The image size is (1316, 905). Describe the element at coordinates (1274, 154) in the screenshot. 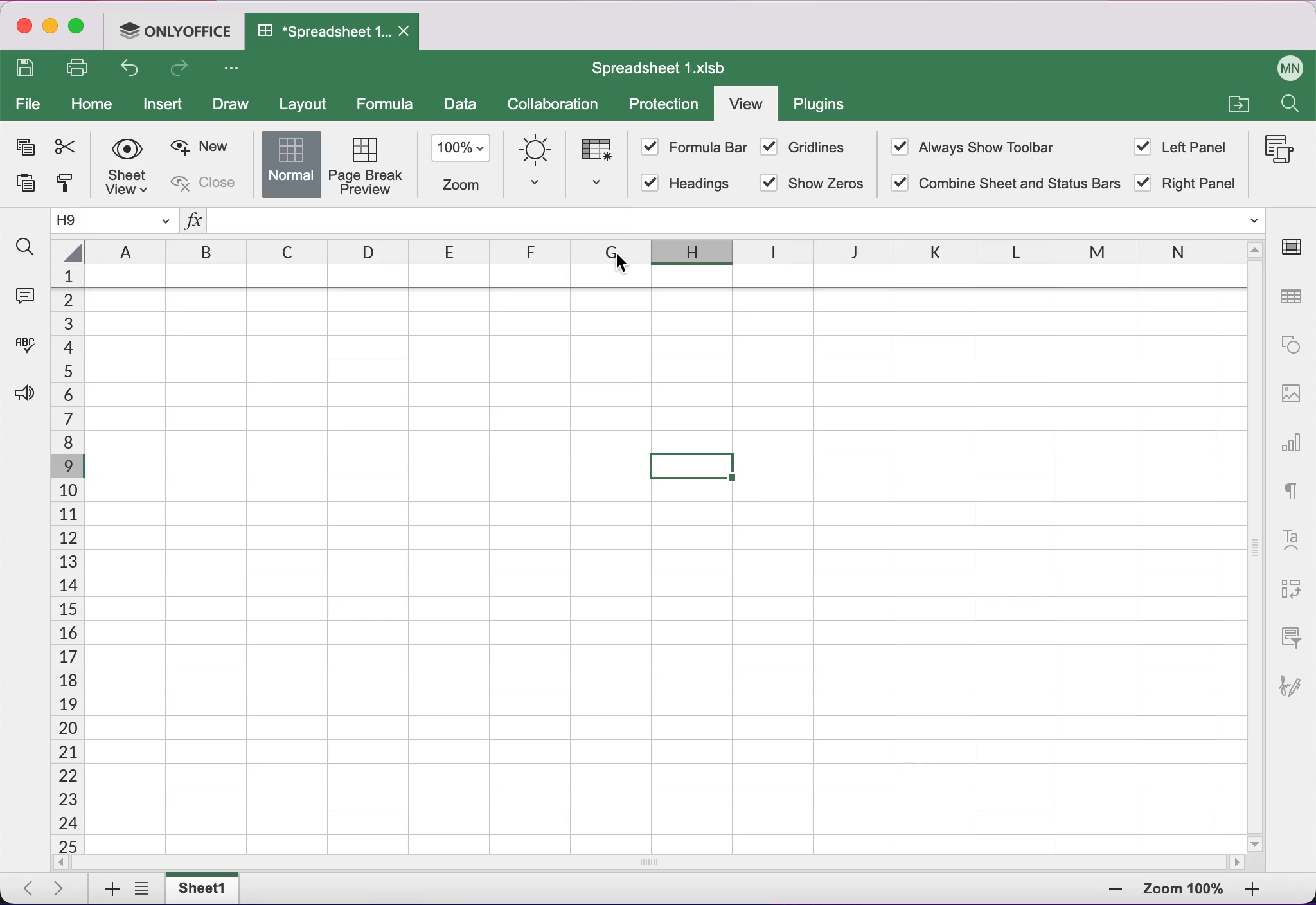

I see `` at that location.